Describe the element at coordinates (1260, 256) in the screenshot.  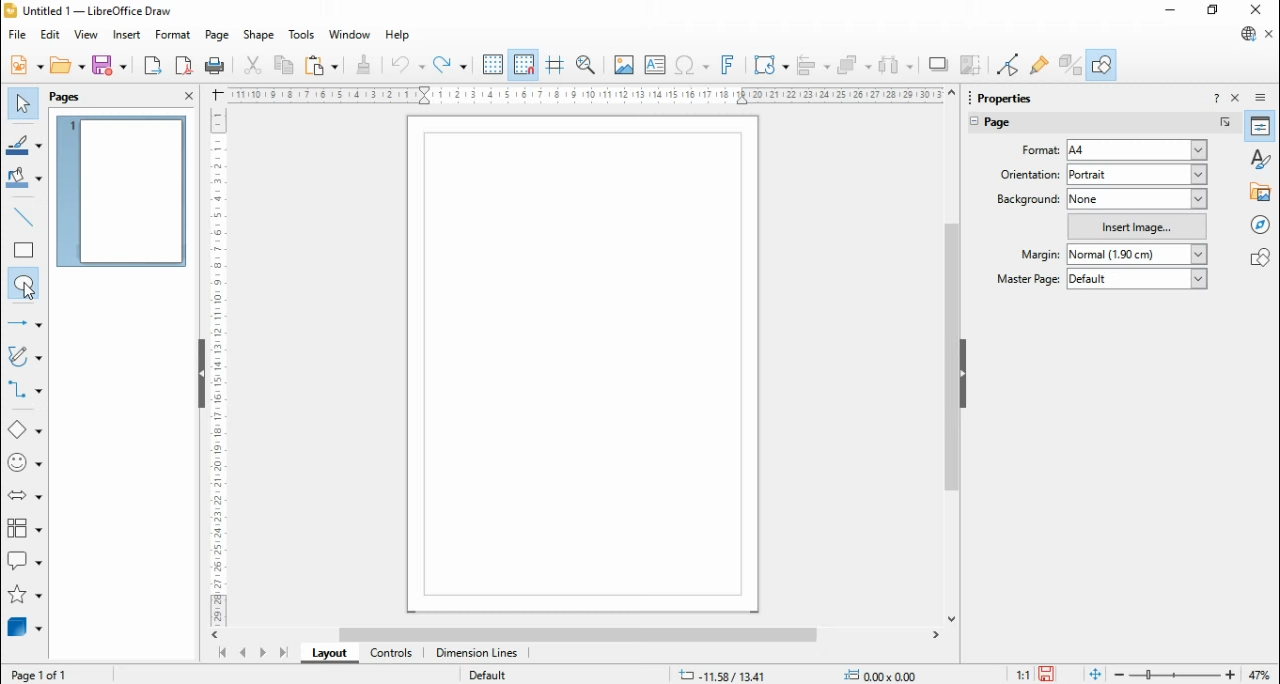
I see `shapes` at that location.